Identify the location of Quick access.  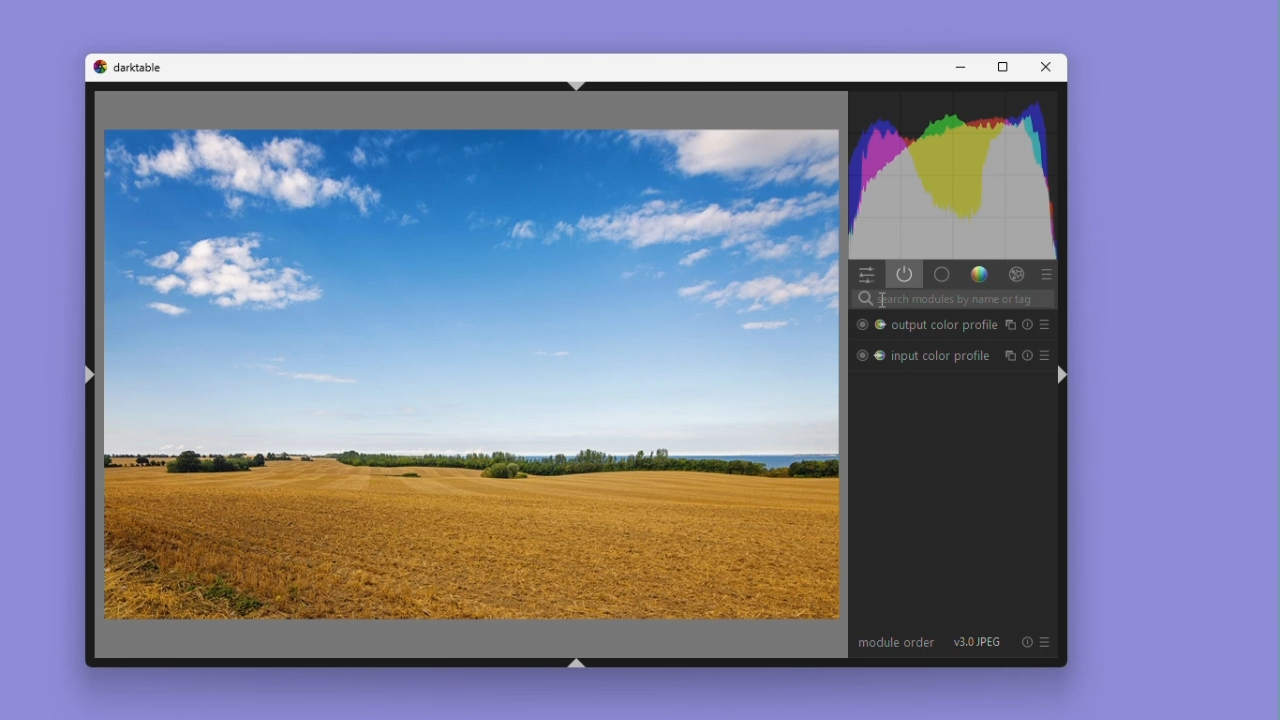
(867, 275).